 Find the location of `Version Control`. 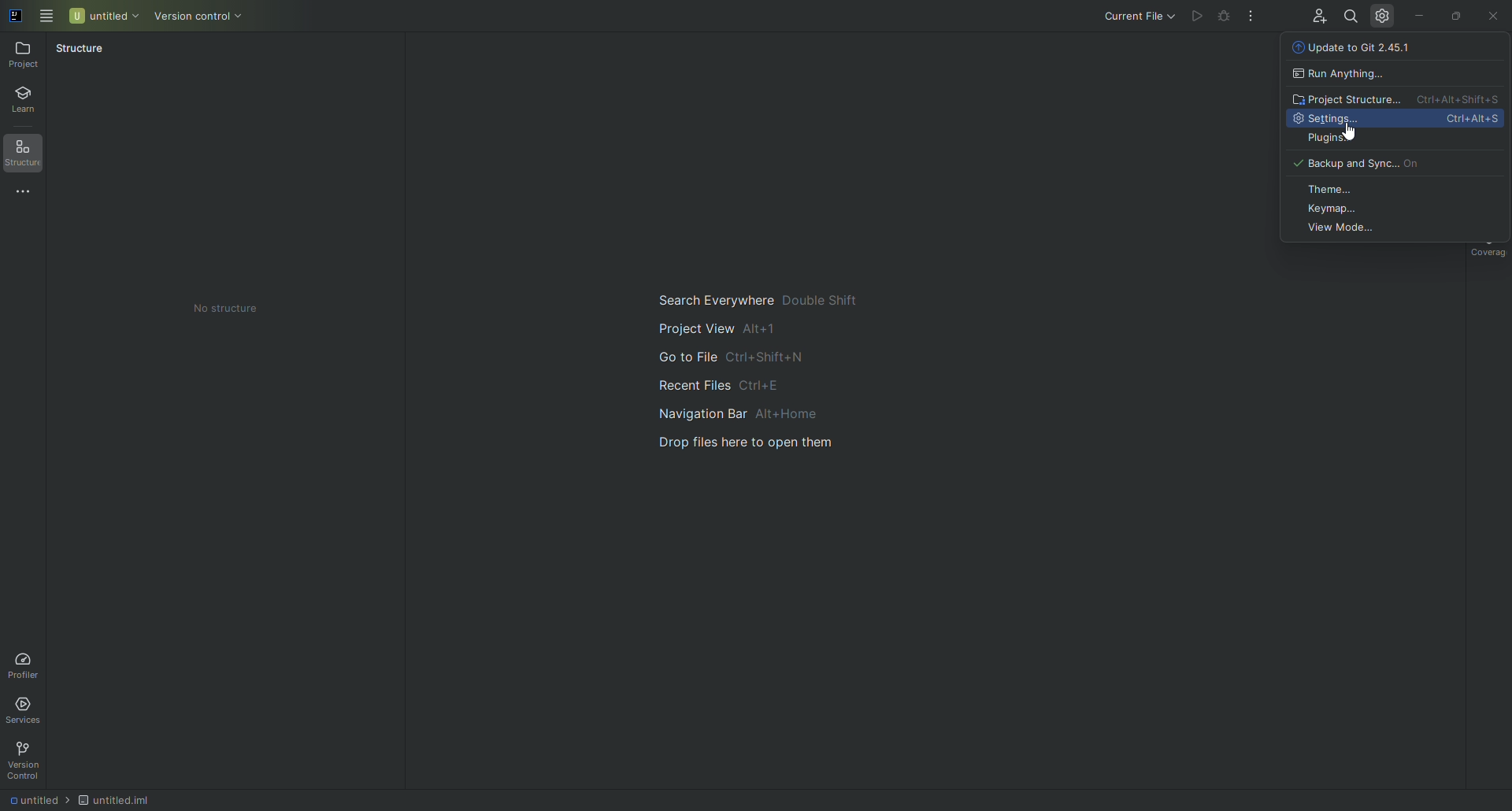

Version Control is located at coordinates (28, 759).